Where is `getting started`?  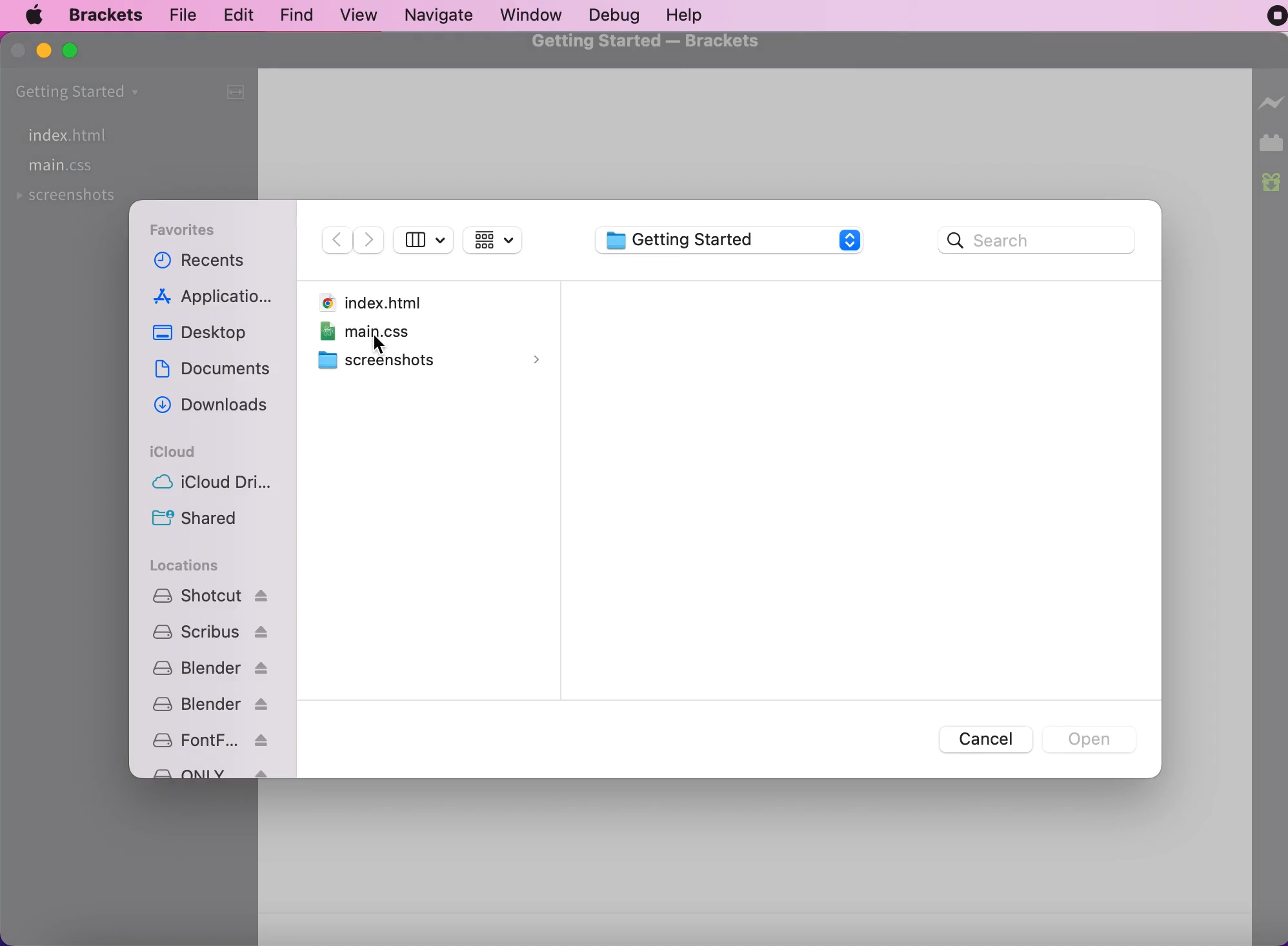 getting started is located at coordinates (731, 242).